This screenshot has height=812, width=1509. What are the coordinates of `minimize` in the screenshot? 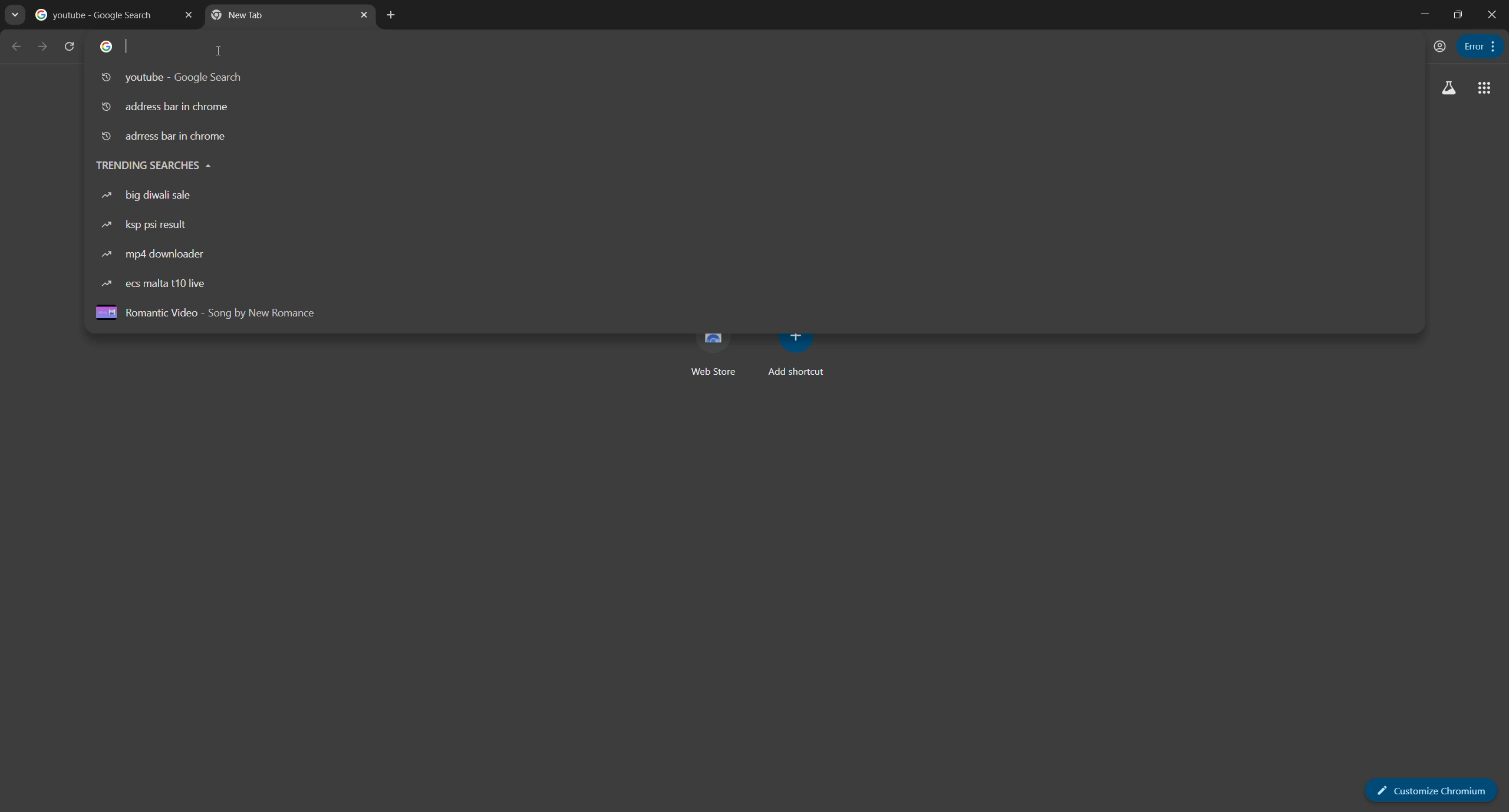 It's located at (1423, 14).